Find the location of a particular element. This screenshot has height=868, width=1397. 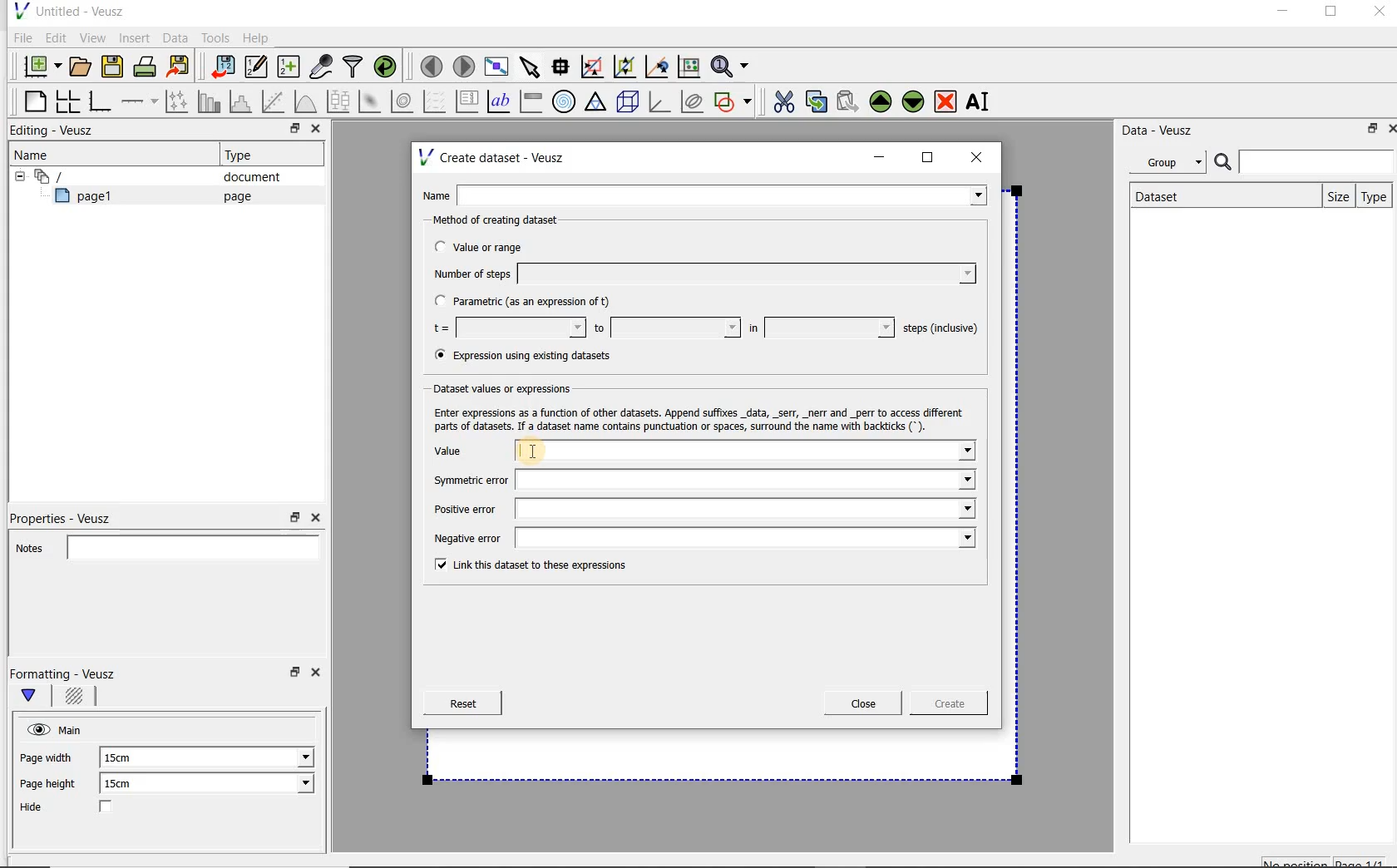

Zoom functions menu is located at coordinates (731, 62).